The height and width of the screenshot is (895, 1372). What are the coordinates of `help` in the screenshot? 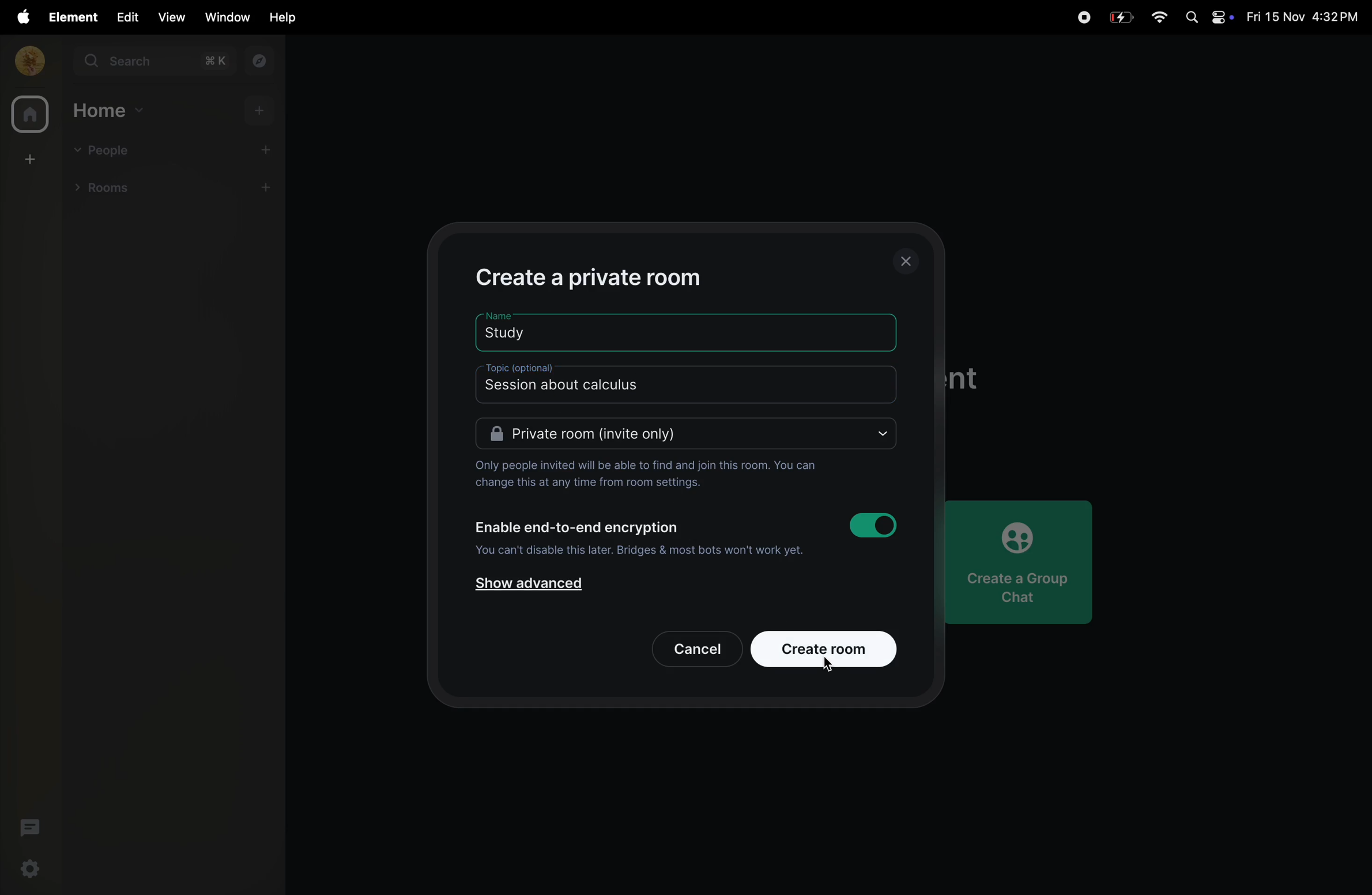 It's located at (279, 18).